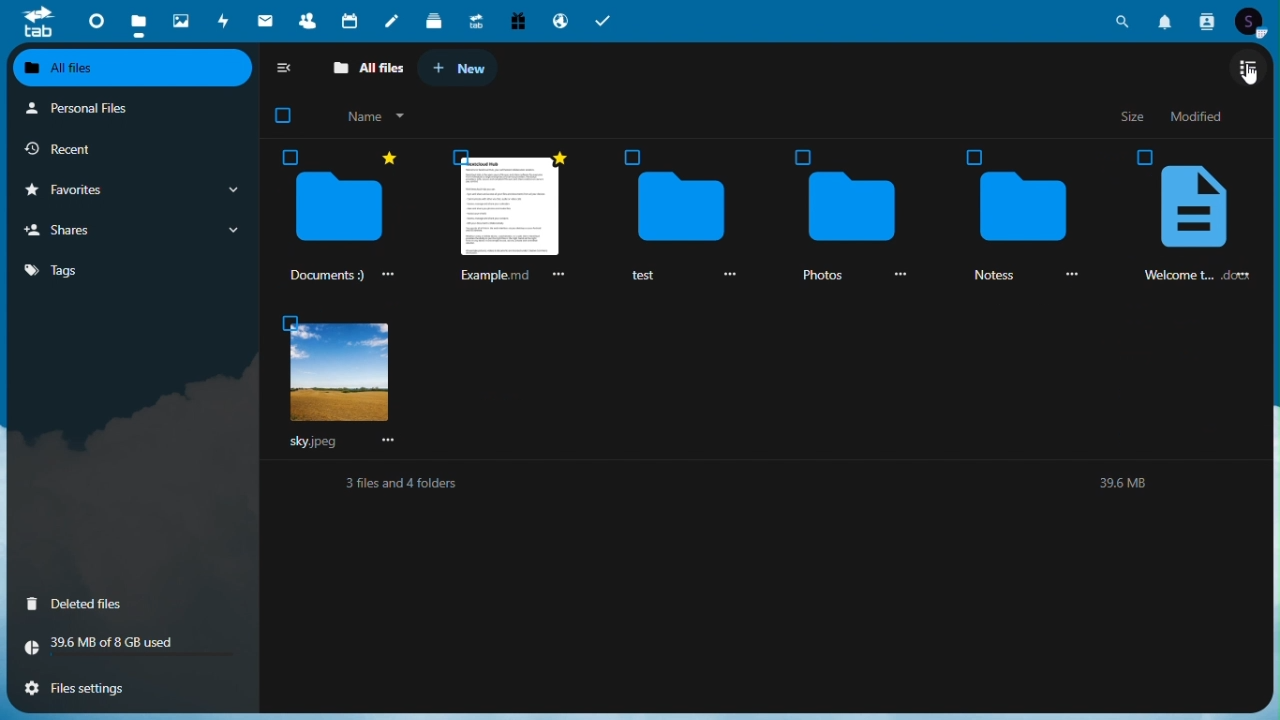 This screenshot has height=720, width=1280. What do you see at coordinates (385, 274) in the screenshot?
I see `more options` at bounding box center [385, 274].